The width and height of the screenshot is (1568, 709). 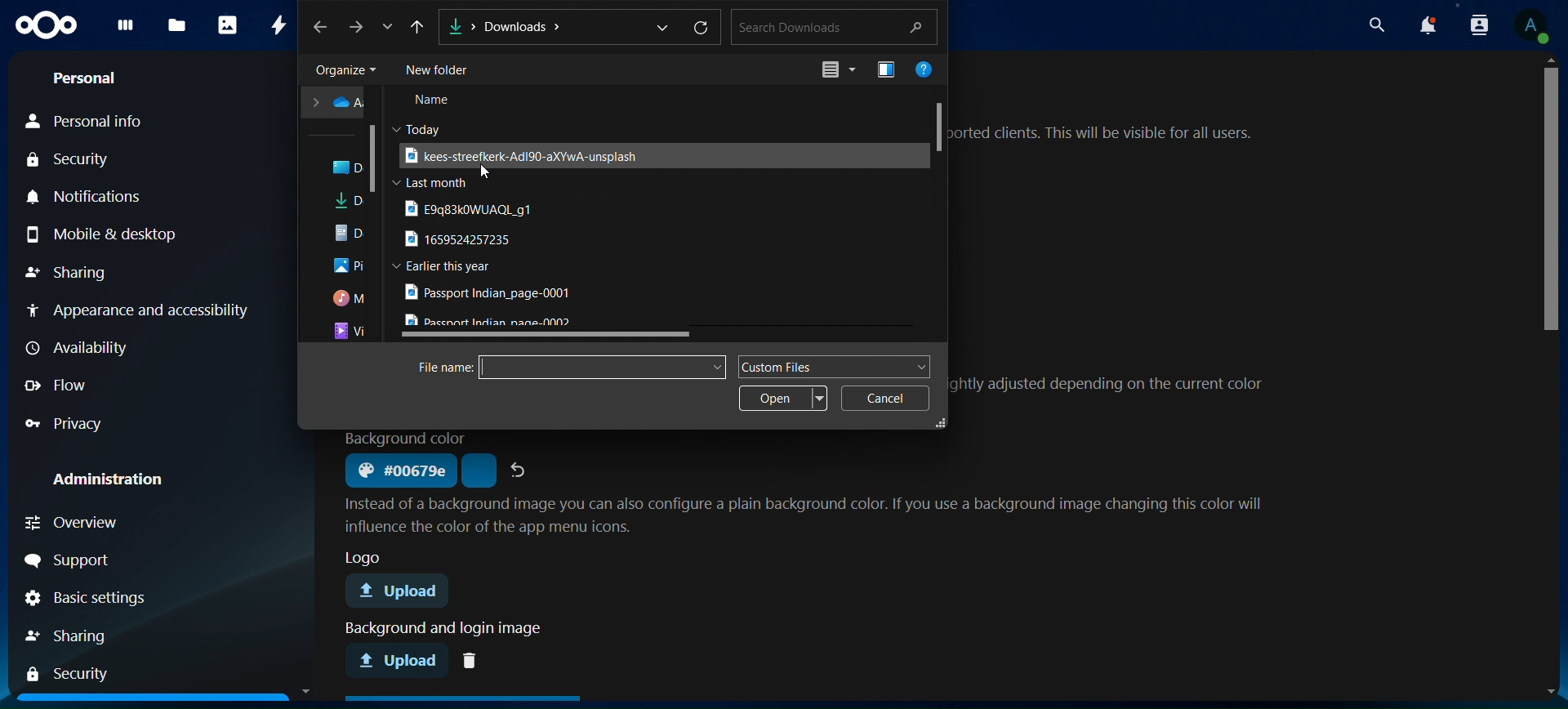 What do you see at coordinates (78, 159) in the screenshot?
I see `security` at bounding box center [78, 159].